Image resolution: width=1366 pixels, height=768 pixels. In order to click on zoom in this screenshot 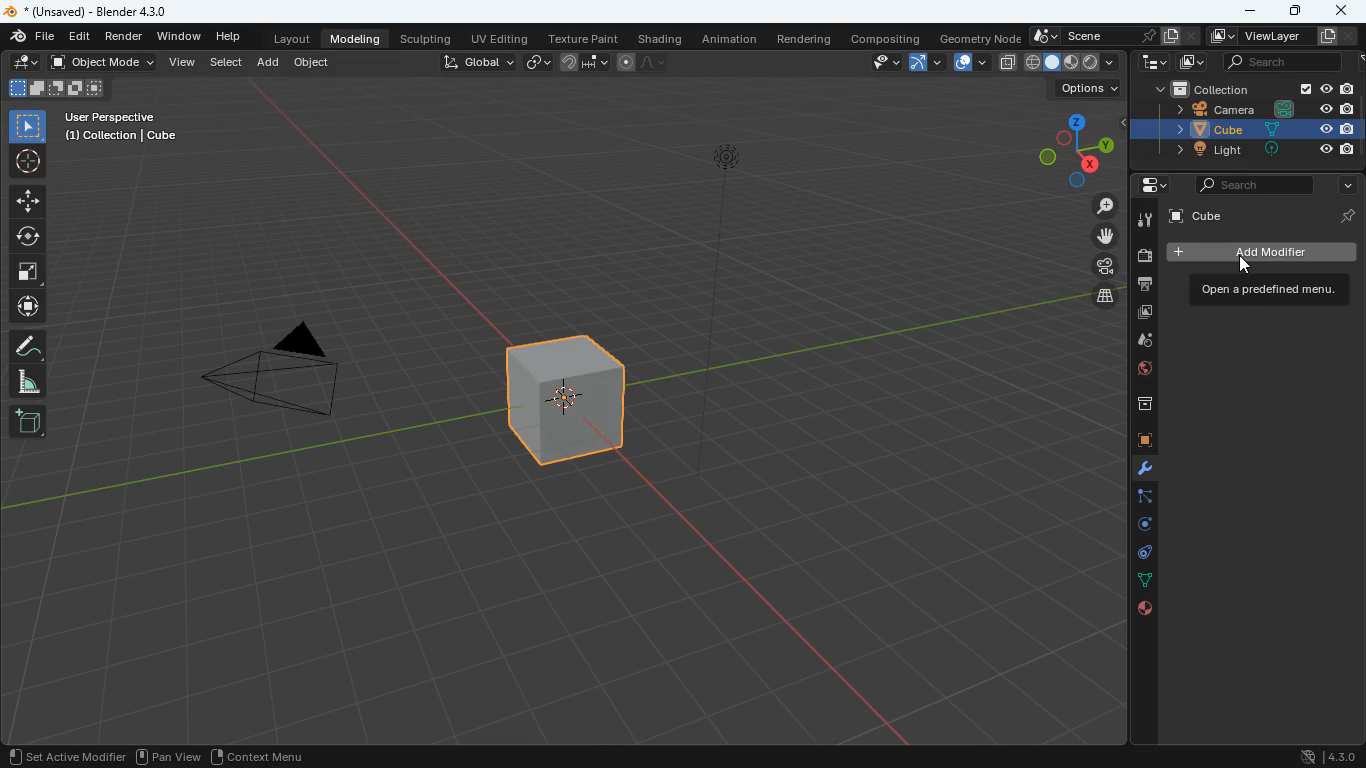, I will do `click(1107, 207)`.